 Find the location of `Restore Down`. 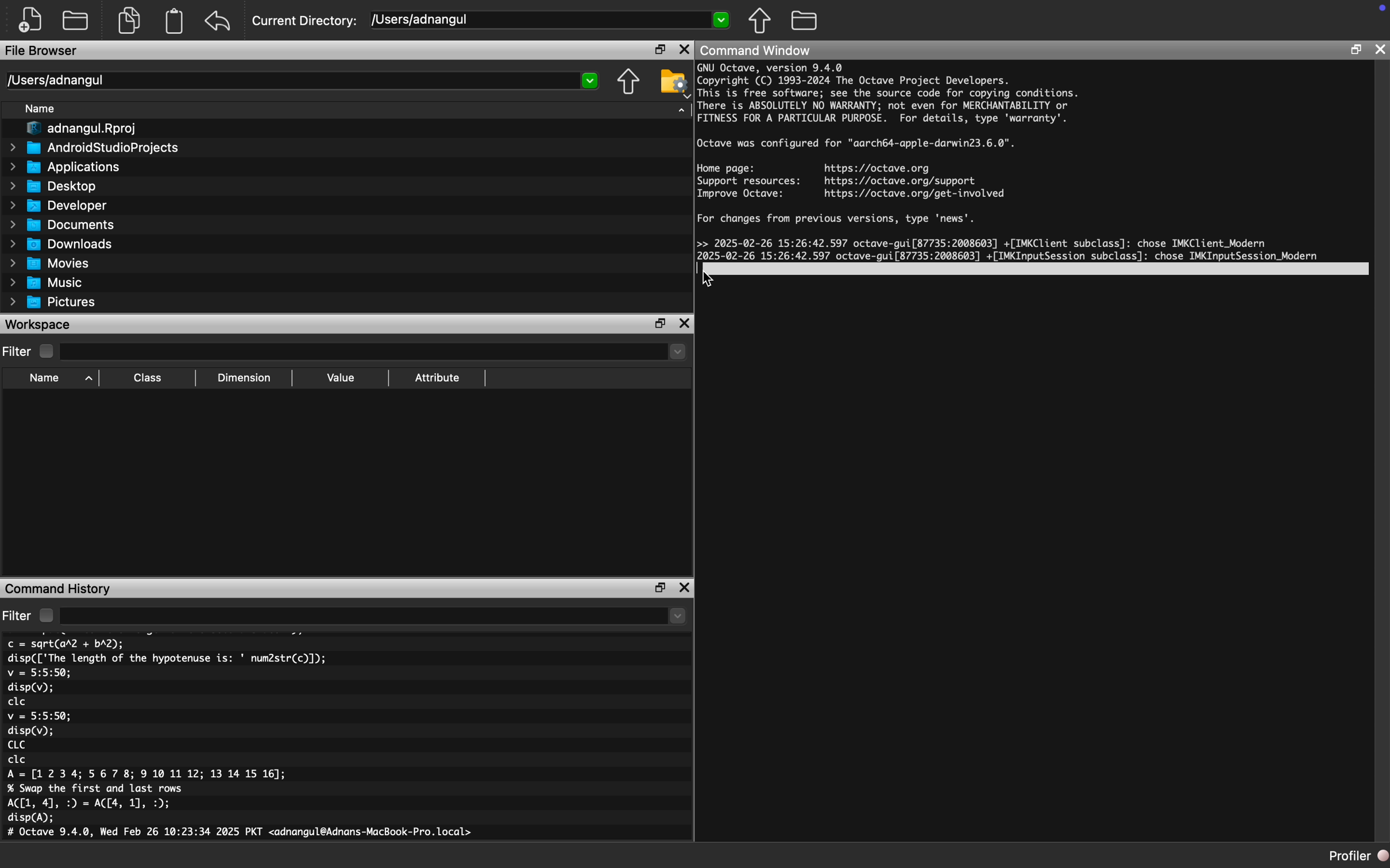

Restore Down is located at coordinates (1356, 51).